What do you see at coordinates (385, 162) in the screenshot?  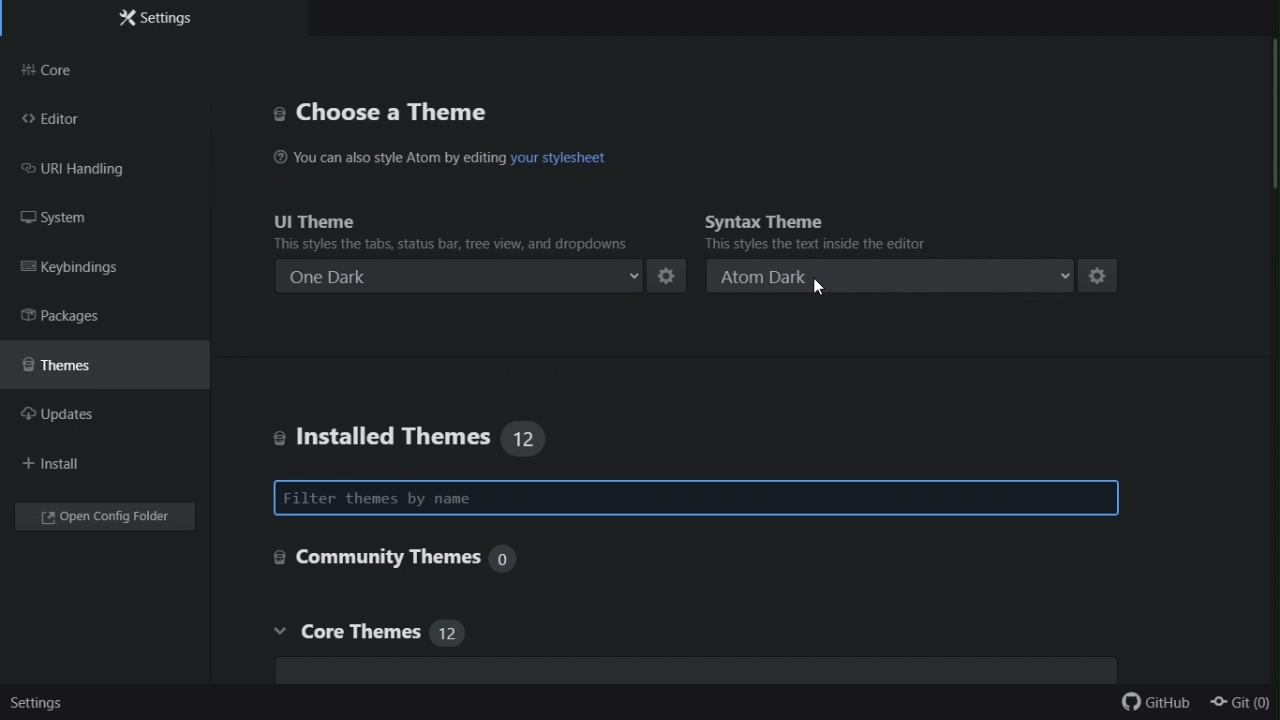 I see `You can also style Atom by editing` at bounding box center [385, 162].